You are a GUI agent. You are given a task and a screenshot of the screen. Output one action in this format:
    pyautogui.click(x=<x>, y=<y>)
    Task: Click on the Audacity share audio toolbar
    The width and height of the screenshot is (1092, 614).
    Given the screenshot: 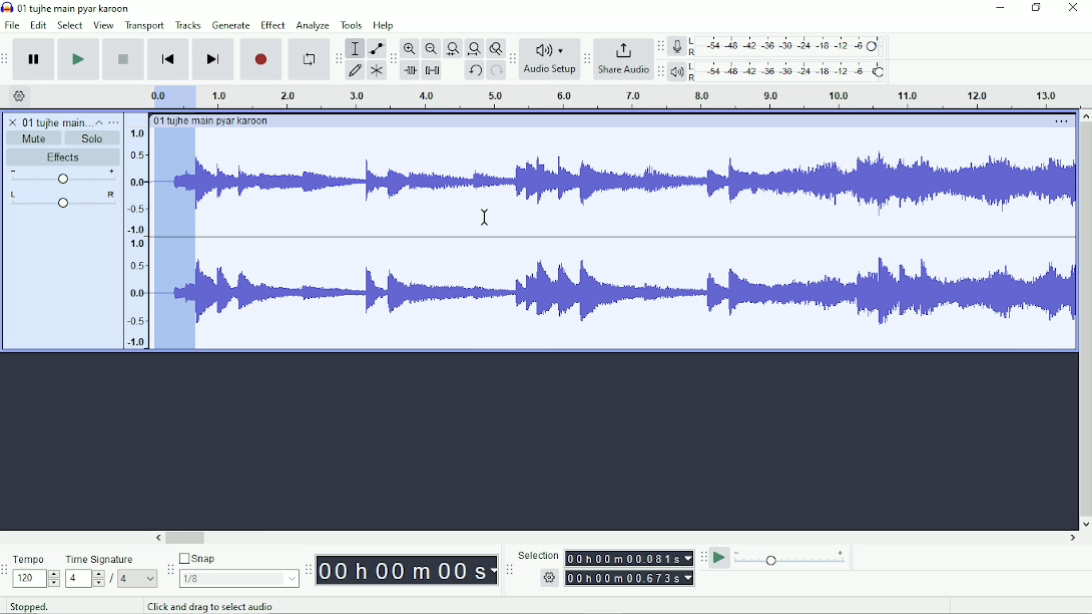 What is the action you would take?
    pyautogui.click(x=587, y=60)
    